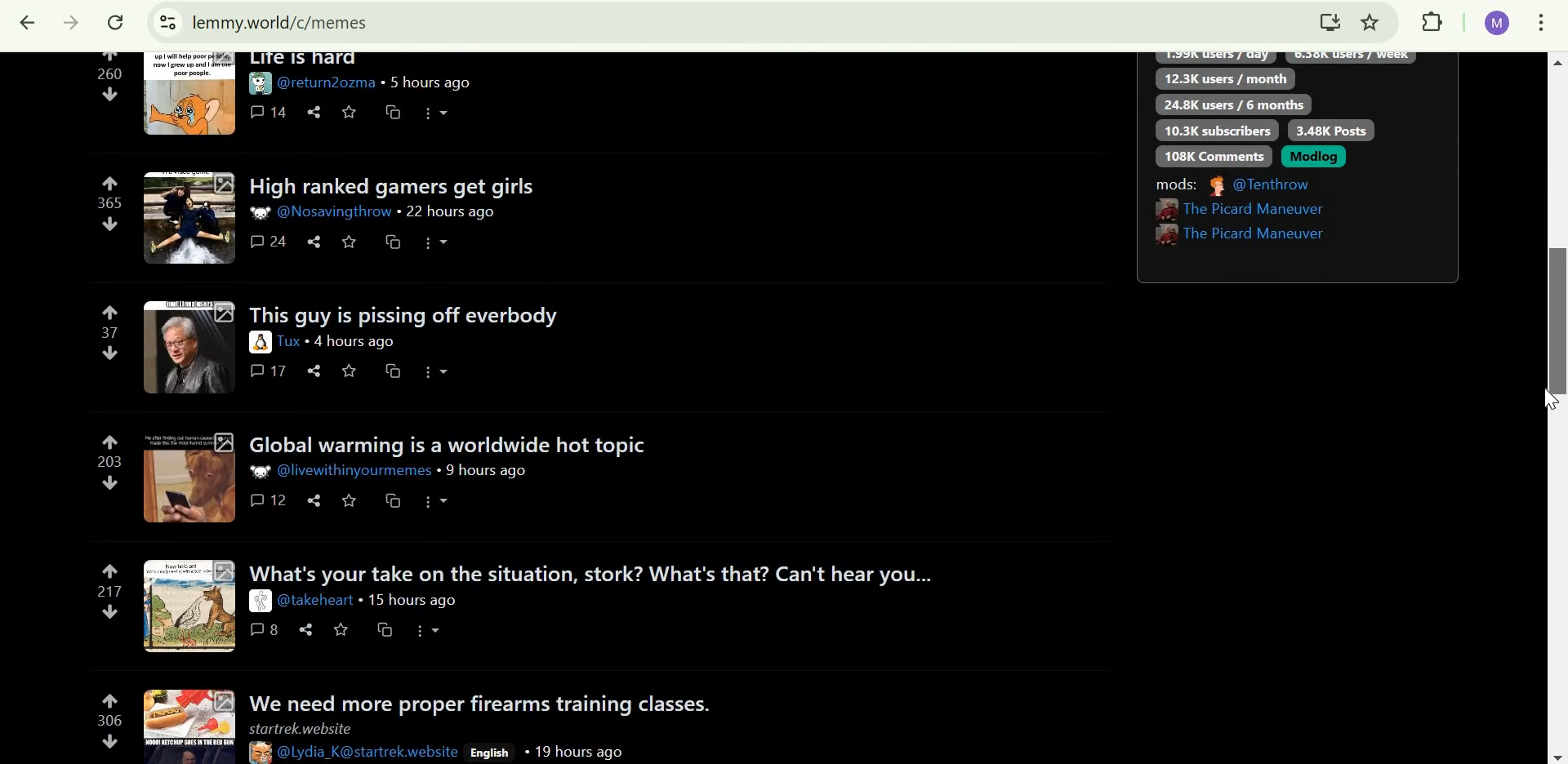 The image size is (1568, 764). I want to click on downvote, so click(113, 224).